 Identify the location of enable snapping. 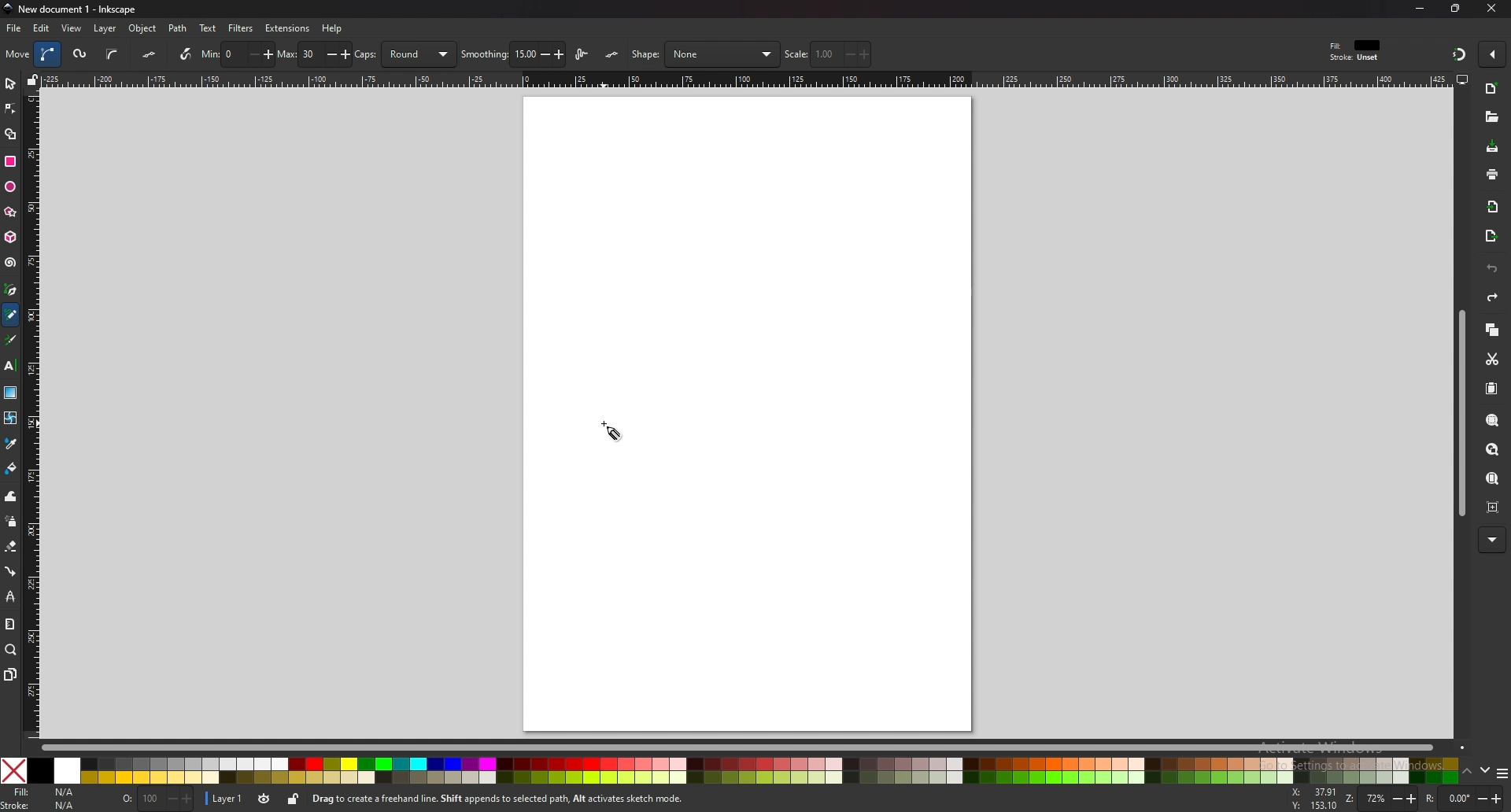
(1491, 54).